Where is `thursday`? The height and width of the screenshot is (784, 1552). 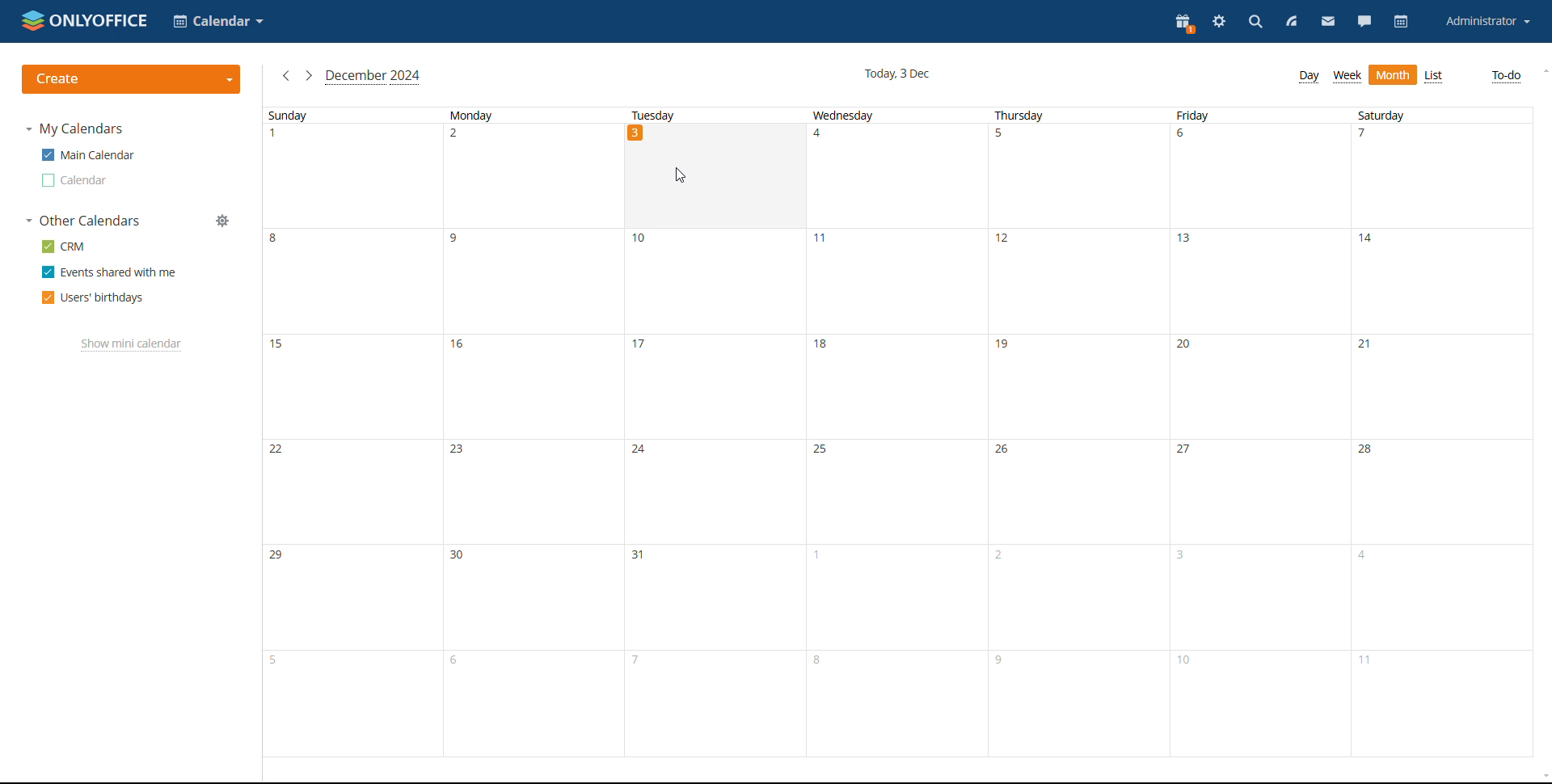 thursday is located at coordinates (1078, 432).